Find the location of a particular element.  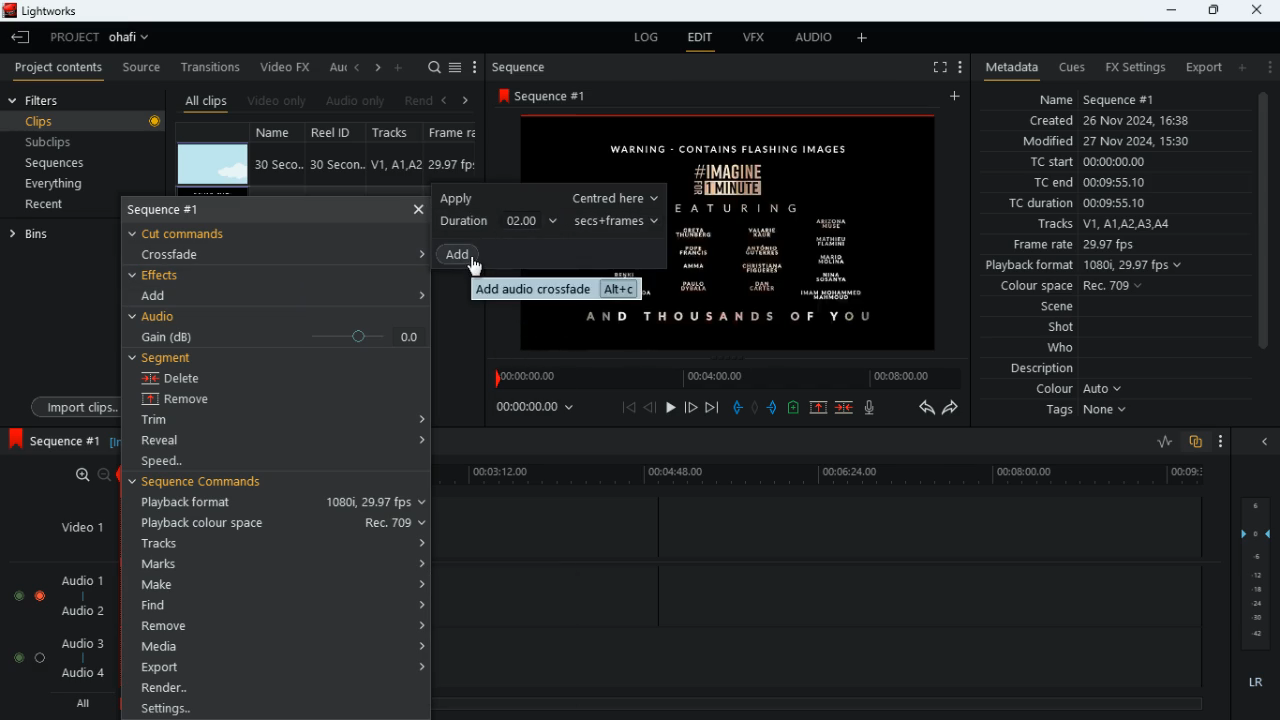

text is located at coordinates (635, 150).